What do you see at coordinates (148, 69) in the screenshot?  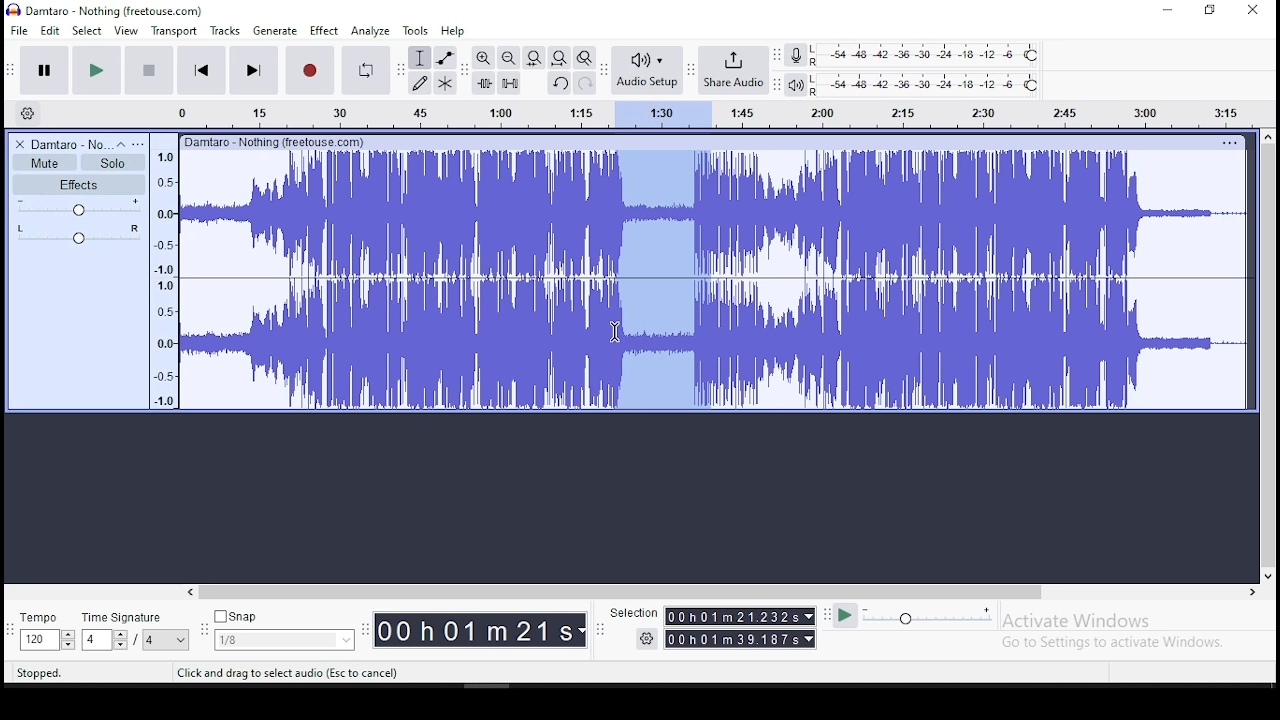 I see `stop` at bounding box center [148, 69].